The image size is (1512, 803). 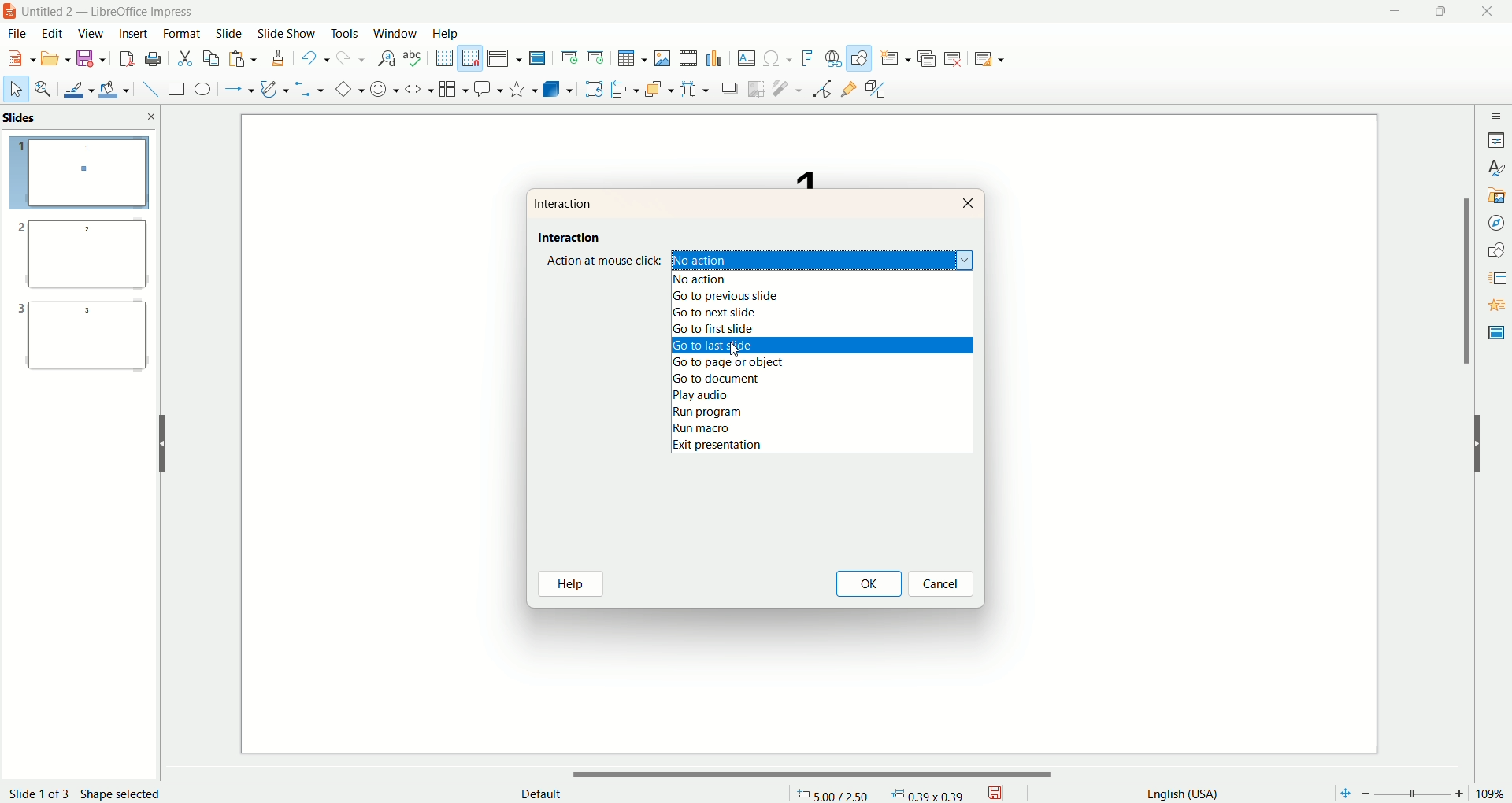 What do you see at coordinates (821, 89) in the screenshot?
I see `point edit mode` at bounding box center [821, 89].